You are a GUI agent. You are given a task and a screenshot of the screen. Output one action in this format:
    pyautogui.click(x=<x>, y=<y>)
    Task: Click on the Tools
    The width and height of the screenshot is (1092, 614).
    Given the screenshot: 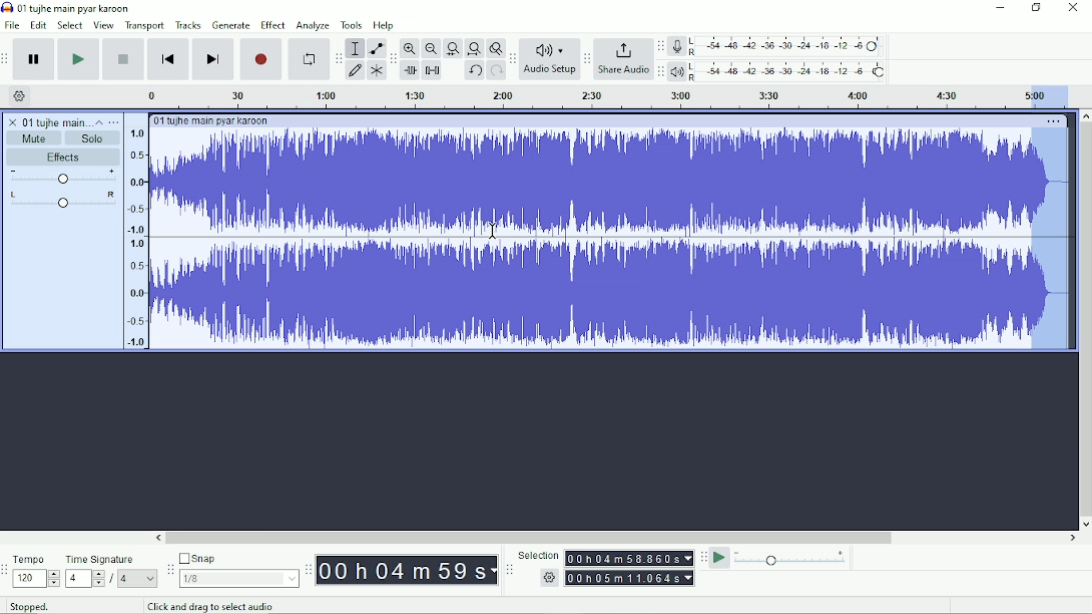 What is the action you would take?
    pyautogui.click(x=353, y=25)
    